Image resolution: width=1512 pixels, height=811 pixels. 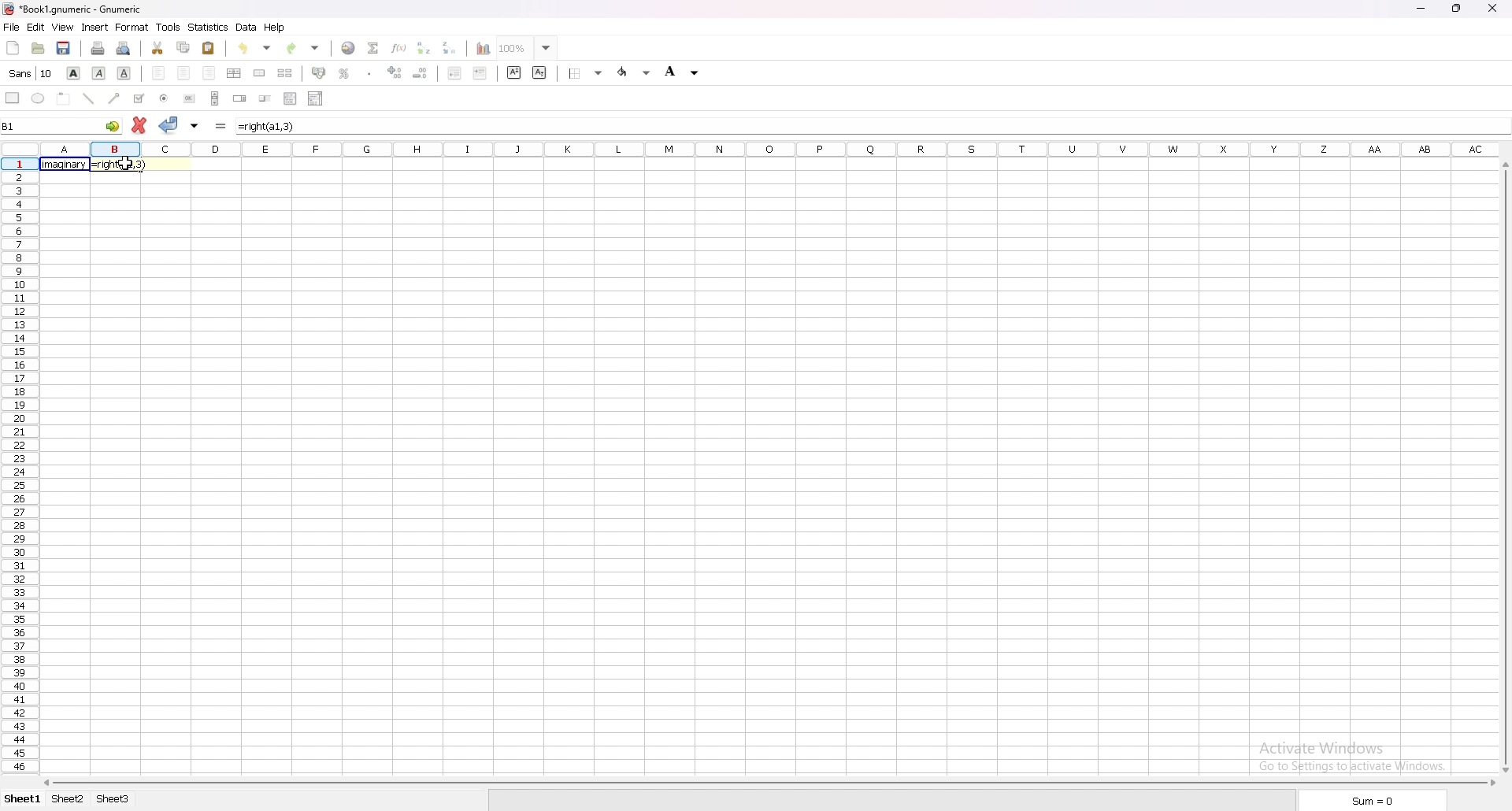 I want to click on tools, so click(x=169, y=27).